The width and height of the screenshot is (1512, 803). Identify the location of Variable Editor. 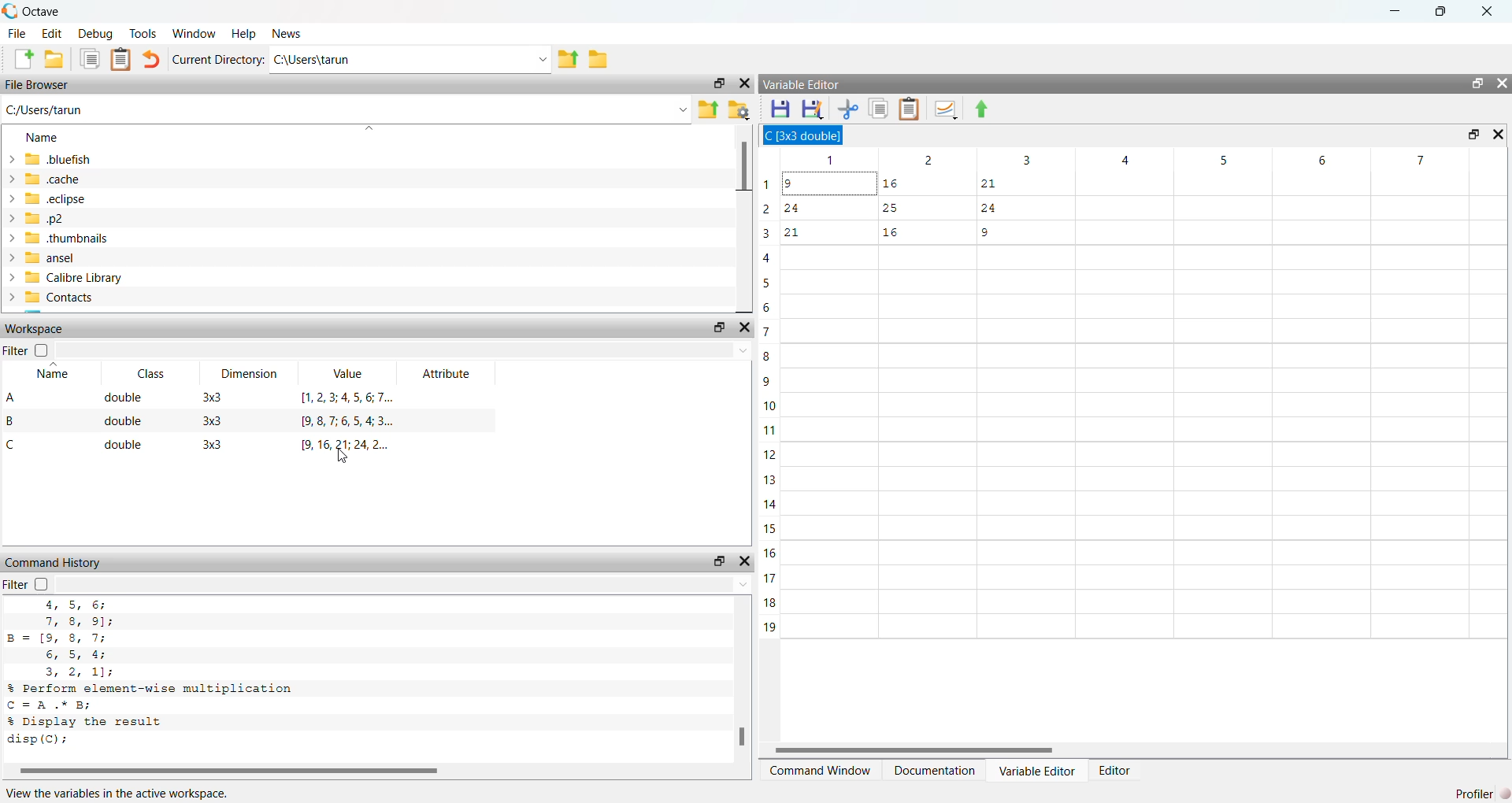
(1036, 770).